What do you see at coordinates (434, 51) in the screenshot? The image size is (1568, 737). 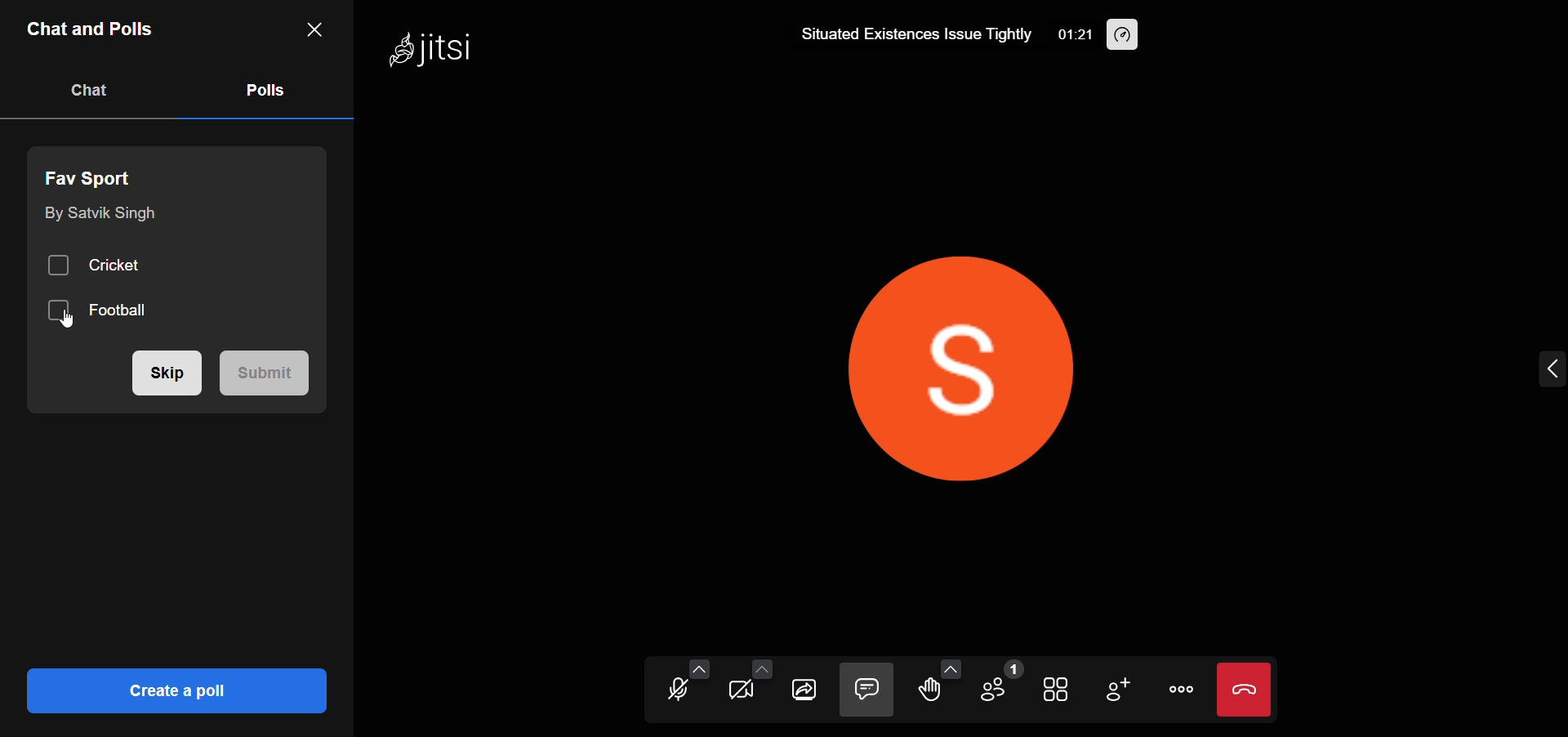 I see `jitsi` at bounding box center [434, 51].